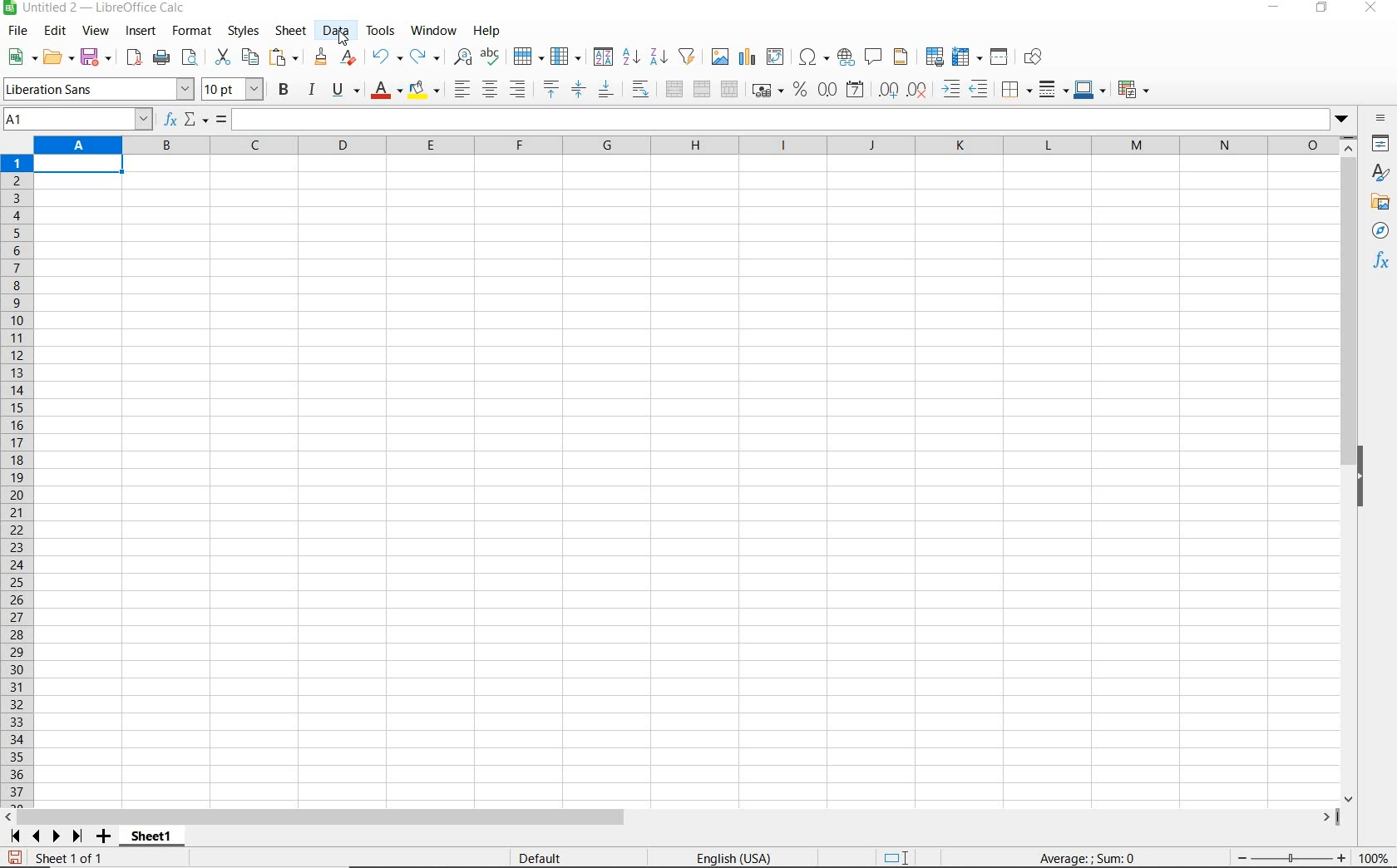  What do you see at coordinates (490, 90) in the screenshot?
I see `align center` at bounding box center [490, 90].